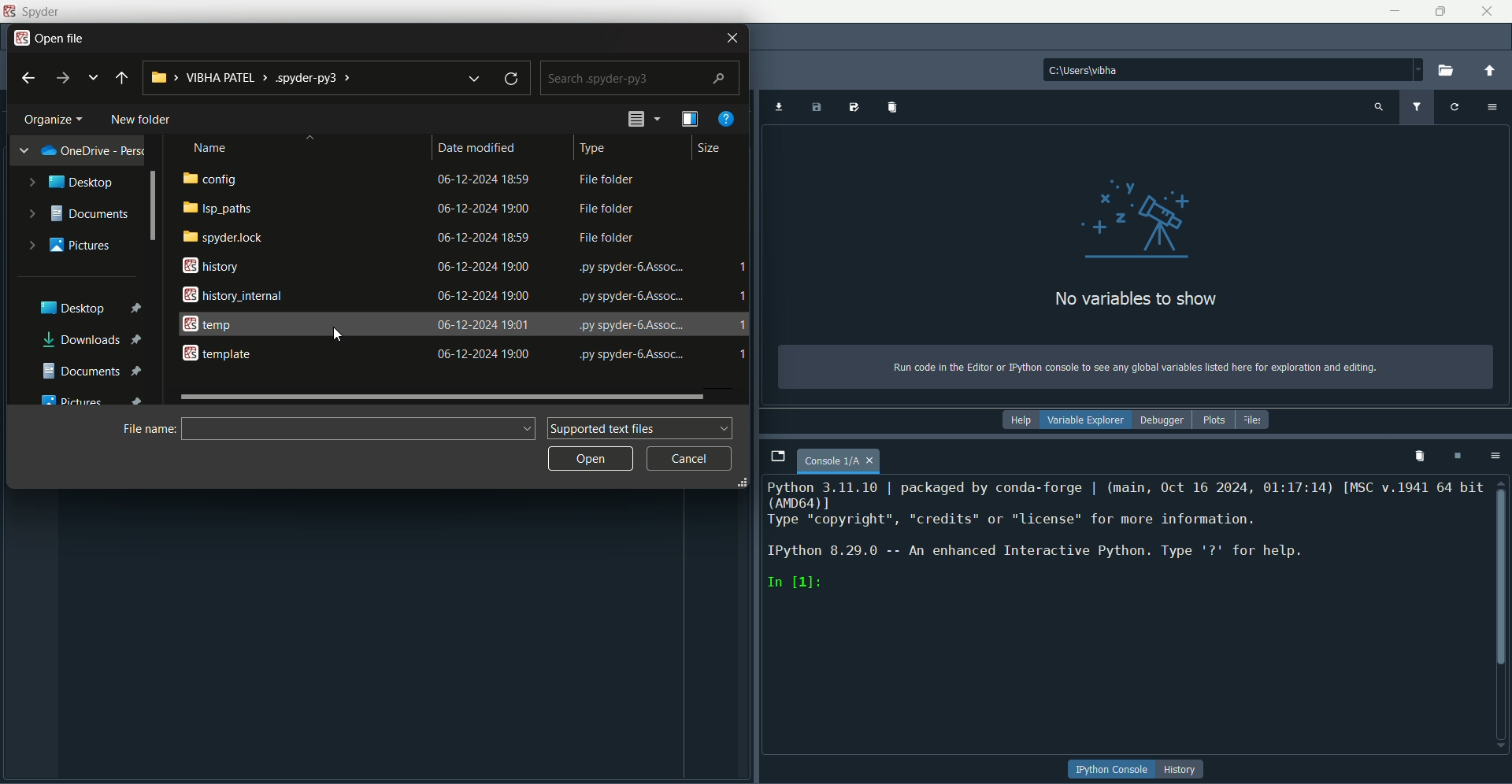  What do you see at coordinates (853, 107) in the screenshot?
I see `save data as` at bounding box center [853, 107].